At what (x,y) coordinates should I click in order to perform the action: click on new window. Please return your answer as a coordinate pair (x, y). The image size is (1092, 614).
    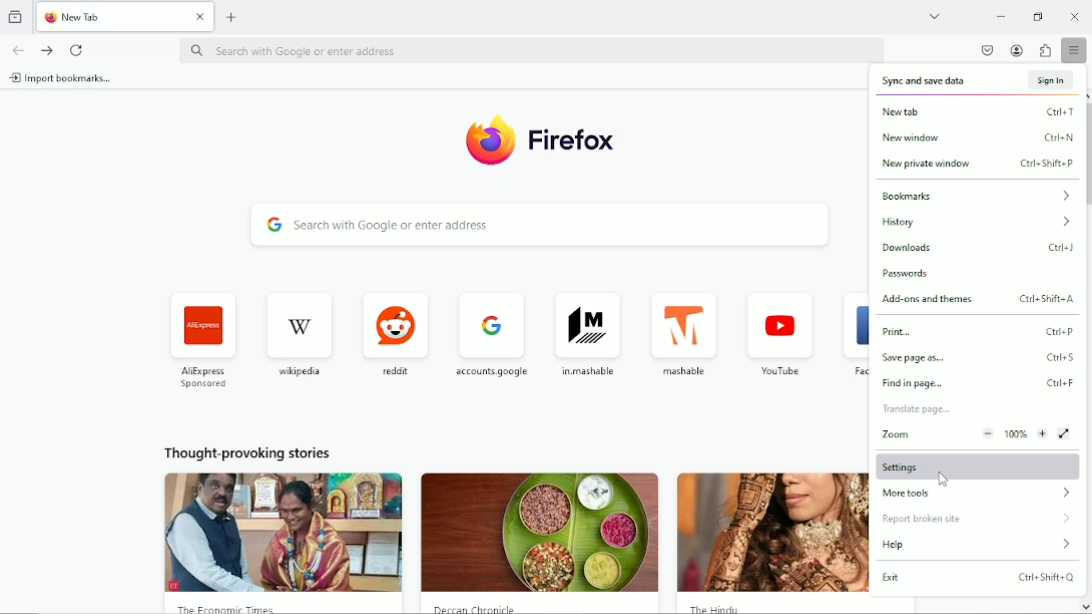
    Looking at the image, I should click on (976, 139).